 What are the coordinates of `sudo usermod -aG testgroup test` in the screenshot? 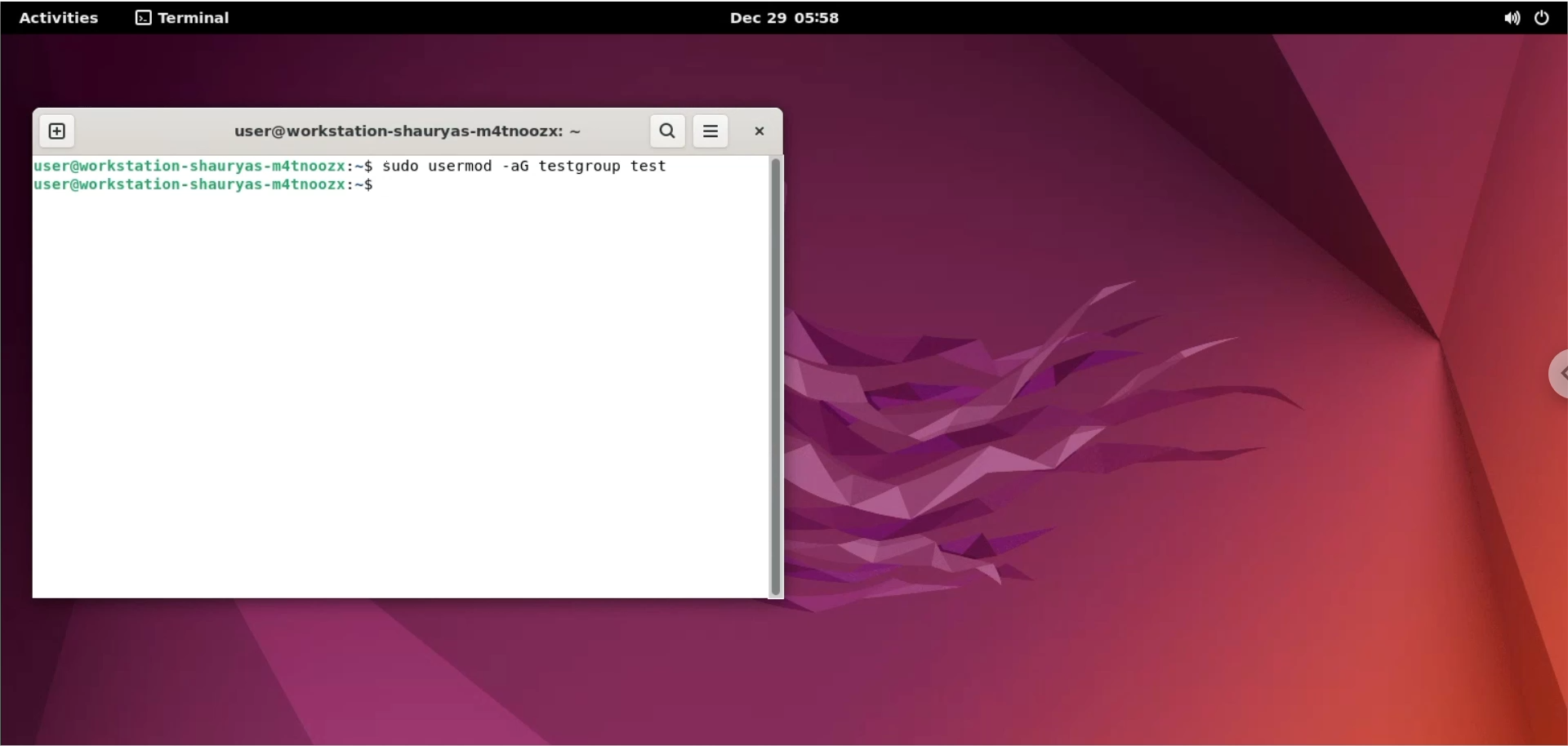 It's located at (542, 166).